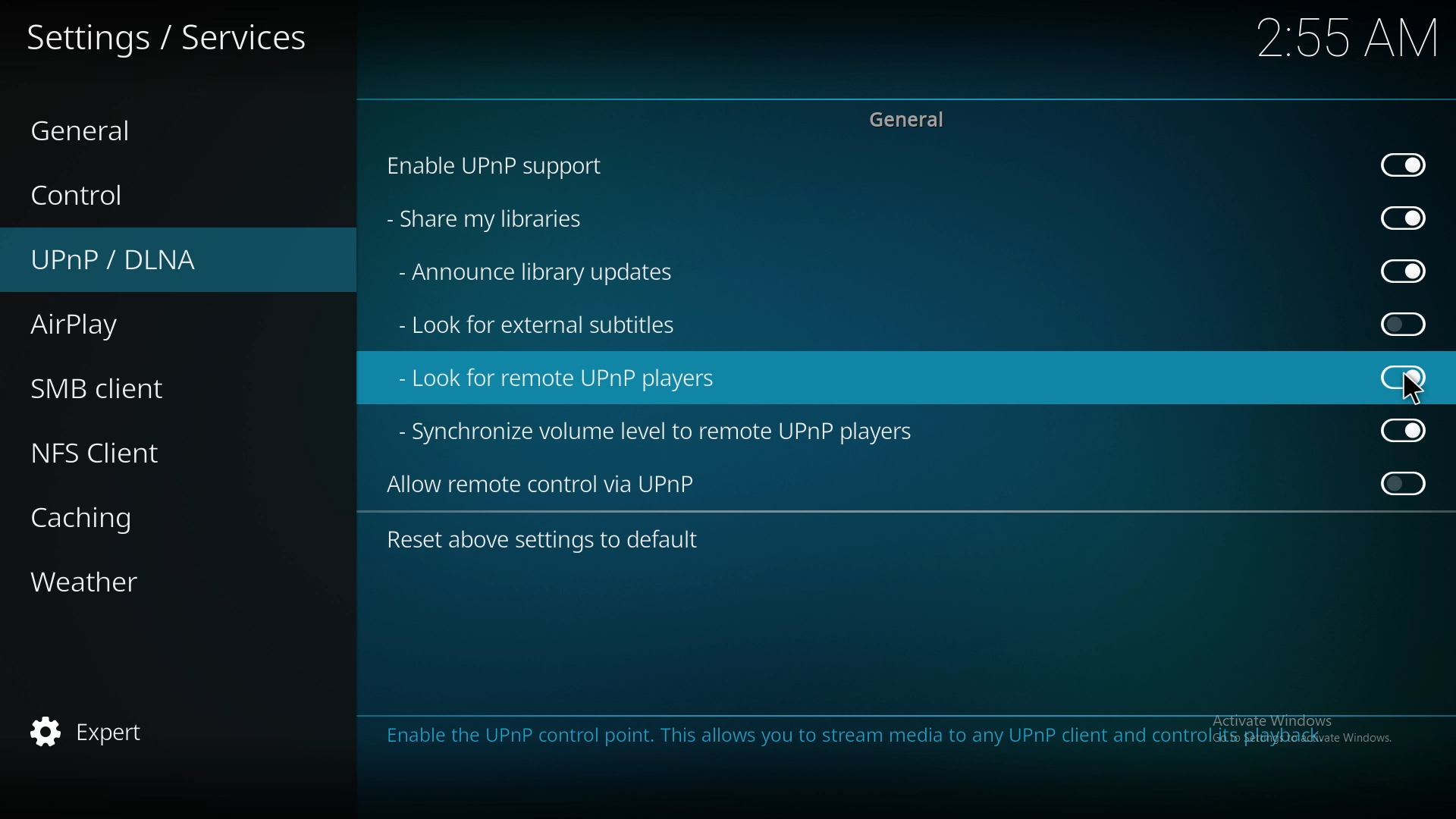 The height and width of the screenshot is (819, 1456). I want to click on on, so click(1406, 218).